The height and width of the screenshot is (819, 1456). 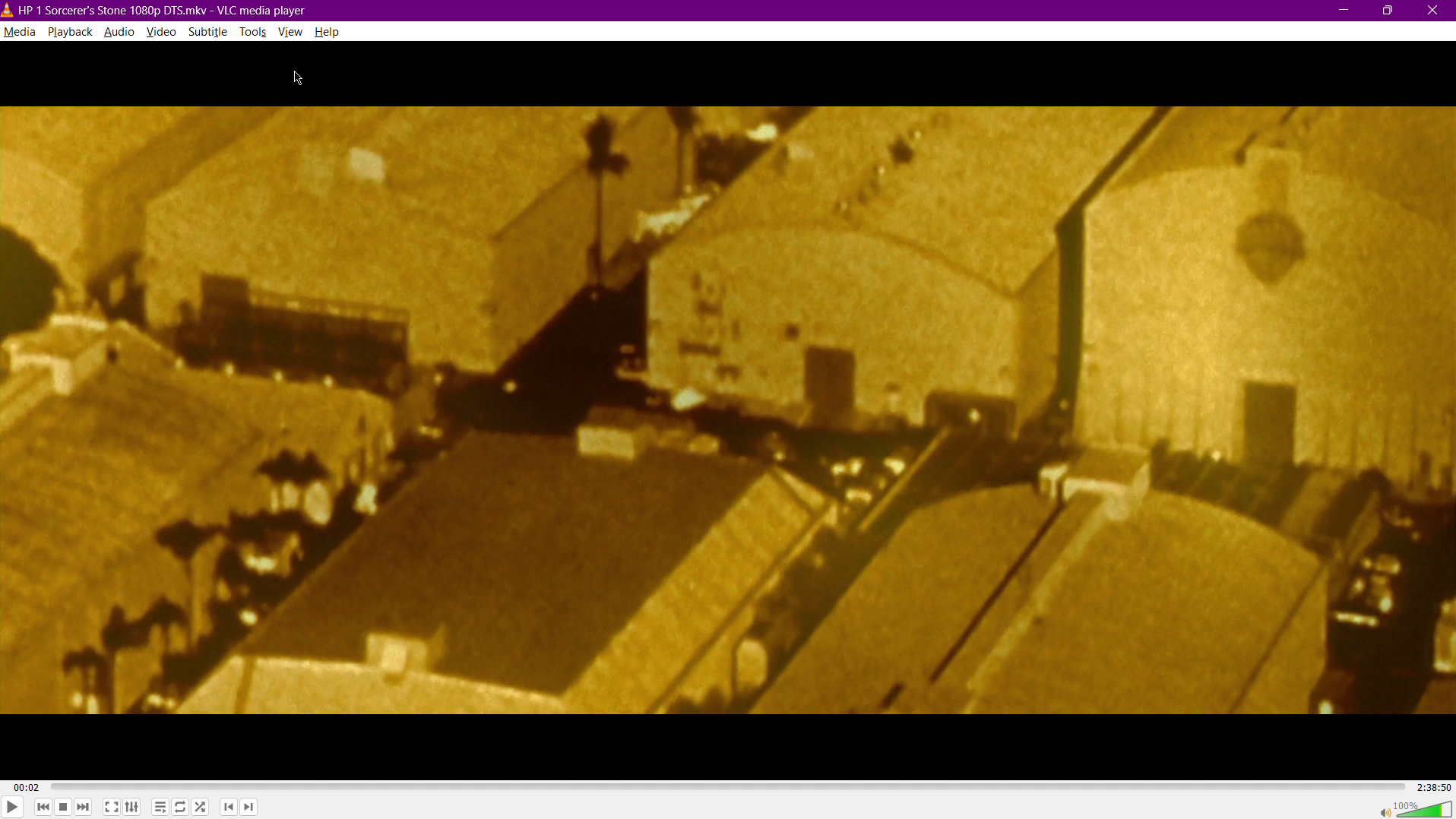 What do you see at coordinates (729, 411) in the screenshot?
I see `Video Display` at bounding box center [729, 411].